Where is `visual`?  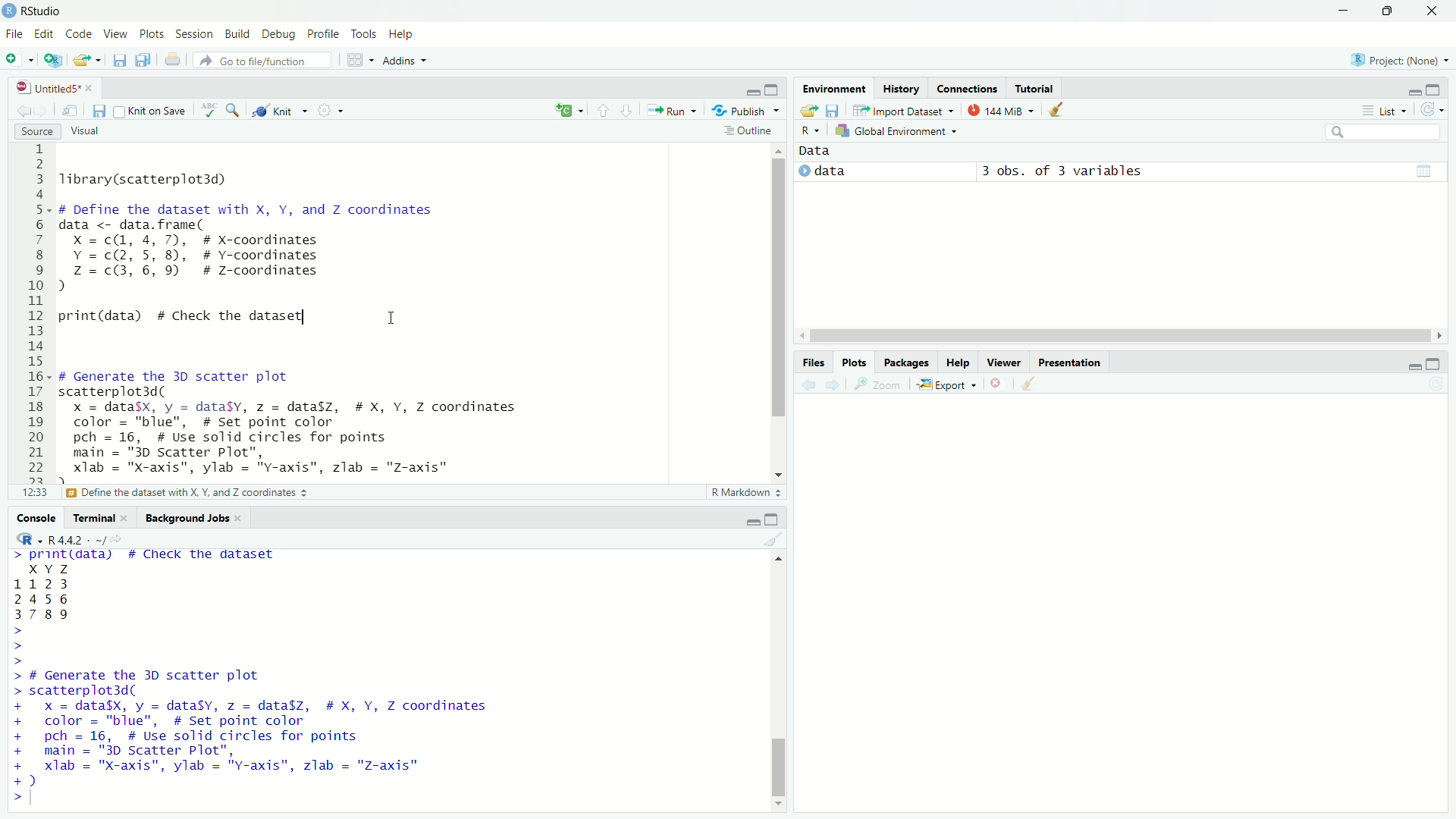
visual is located at coordinates (86, 132).